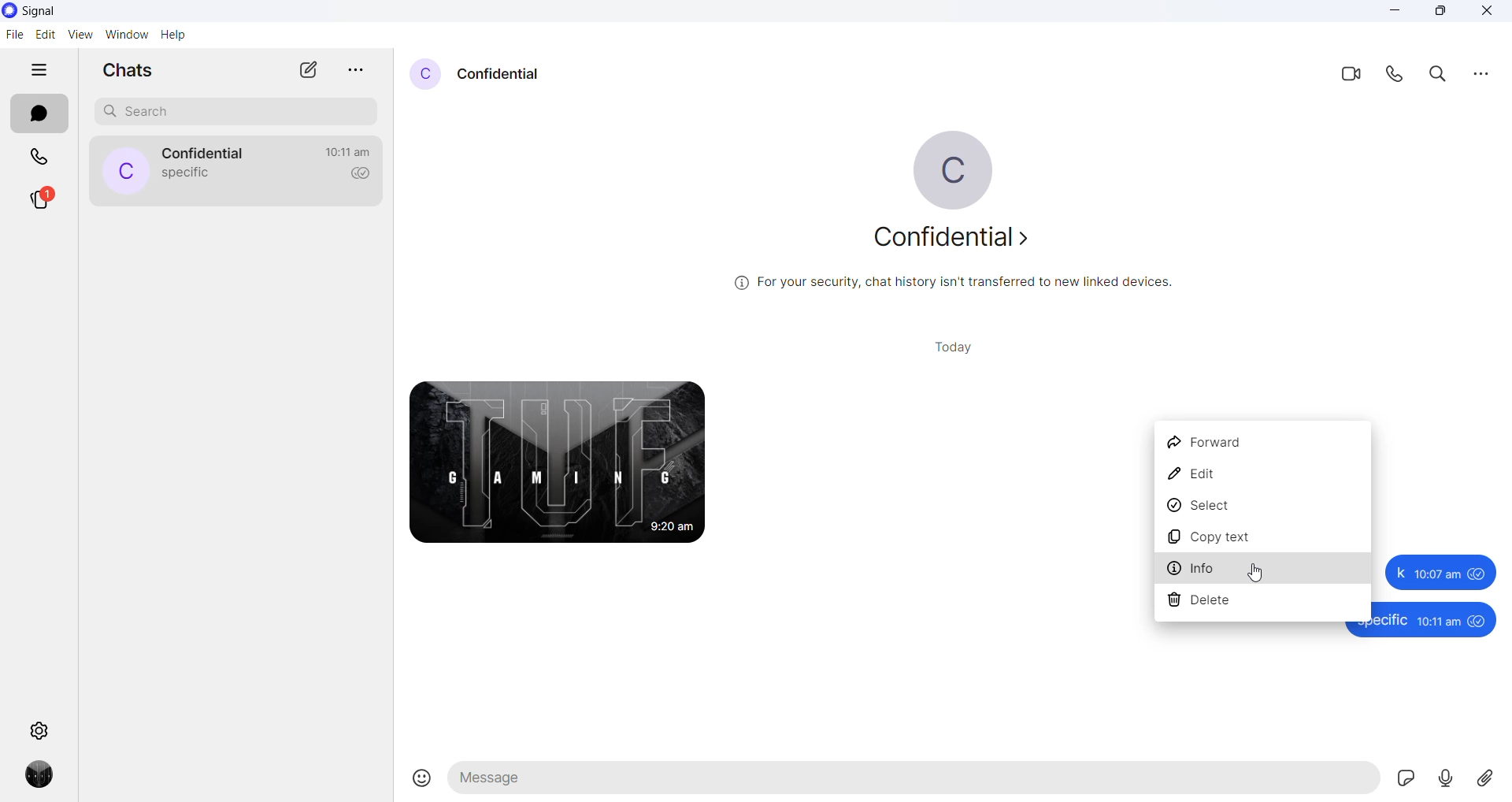  I want to click on profile, so click(42, 774).